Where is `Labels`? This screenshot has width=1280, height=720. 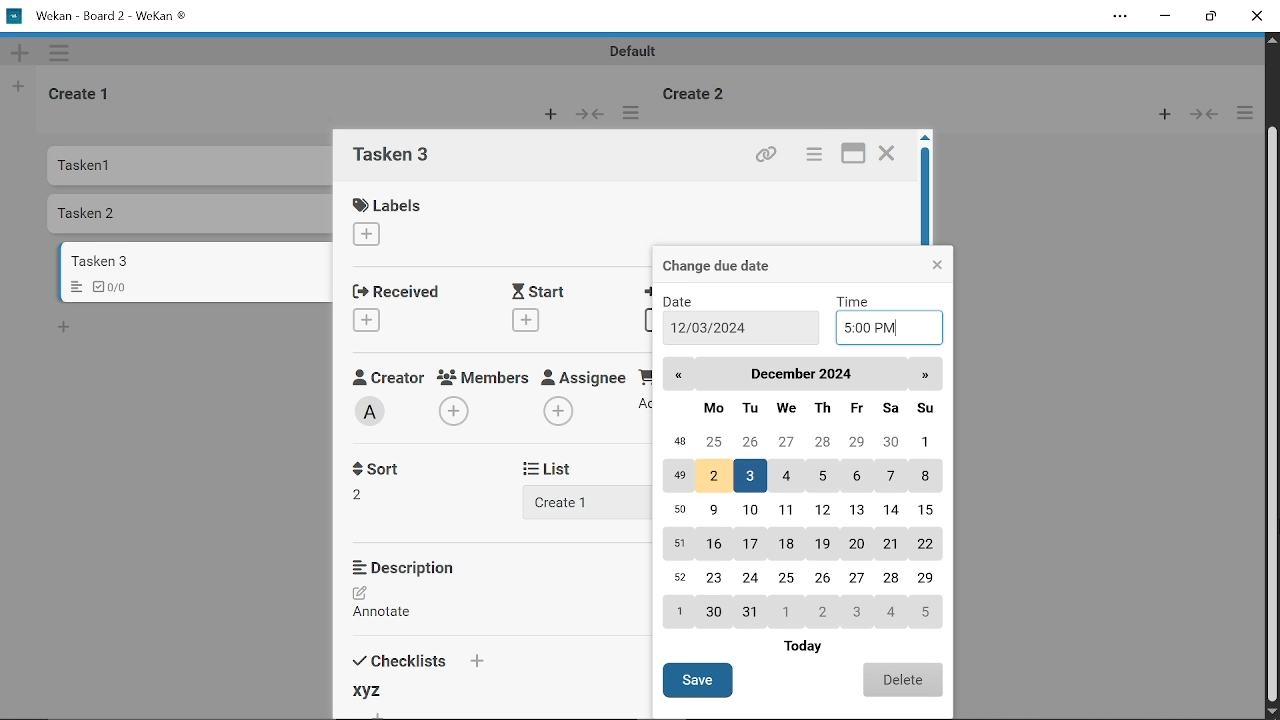
Labels is located at coordinates (392, 204).